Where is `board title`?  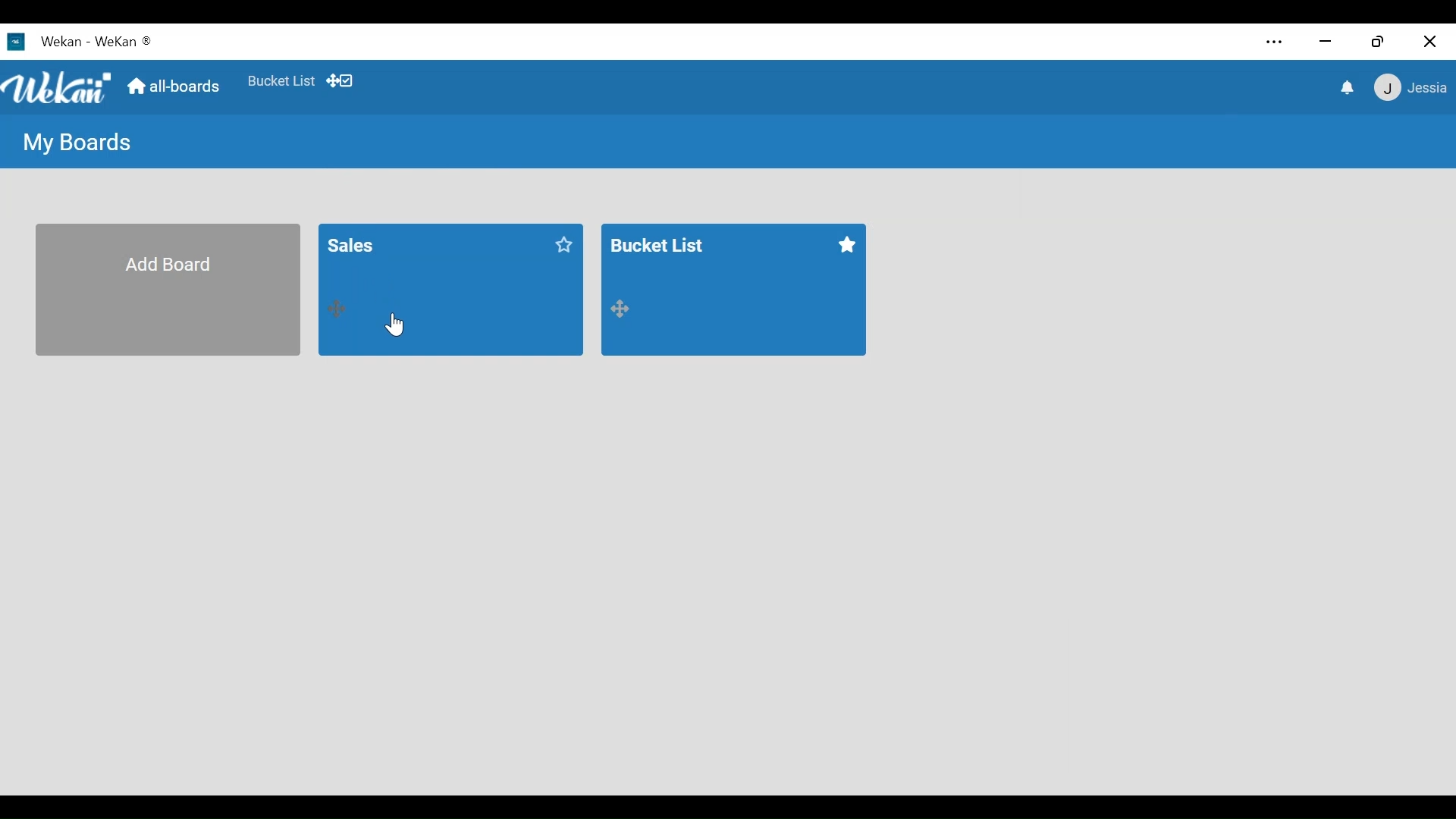
board title is located at coordinates (663, 247).